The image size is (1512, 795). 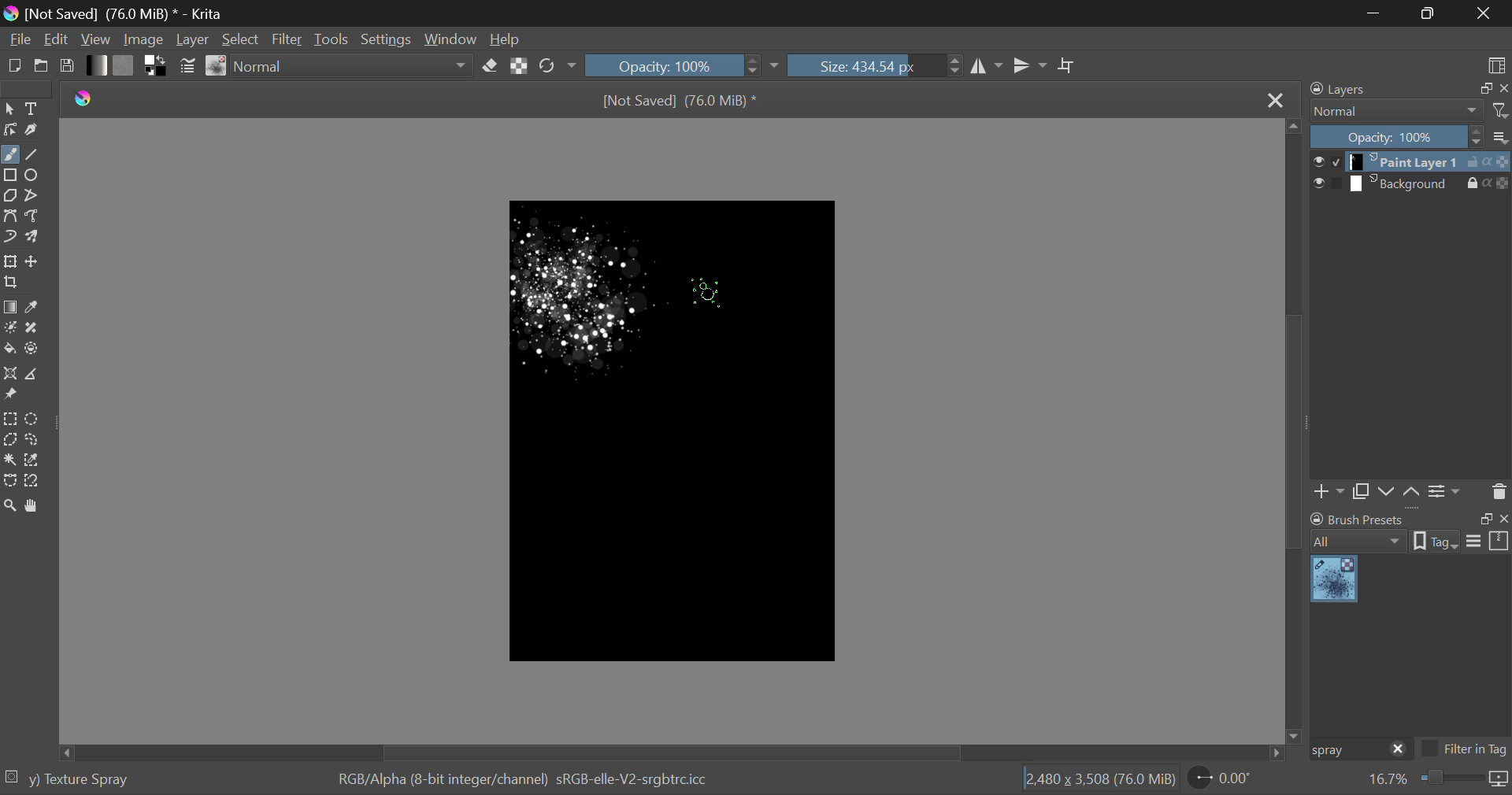 What do you see at coordinates (188, 68) in the screenshot?
I see `Brush Settings` at bounding box center [188, 68].